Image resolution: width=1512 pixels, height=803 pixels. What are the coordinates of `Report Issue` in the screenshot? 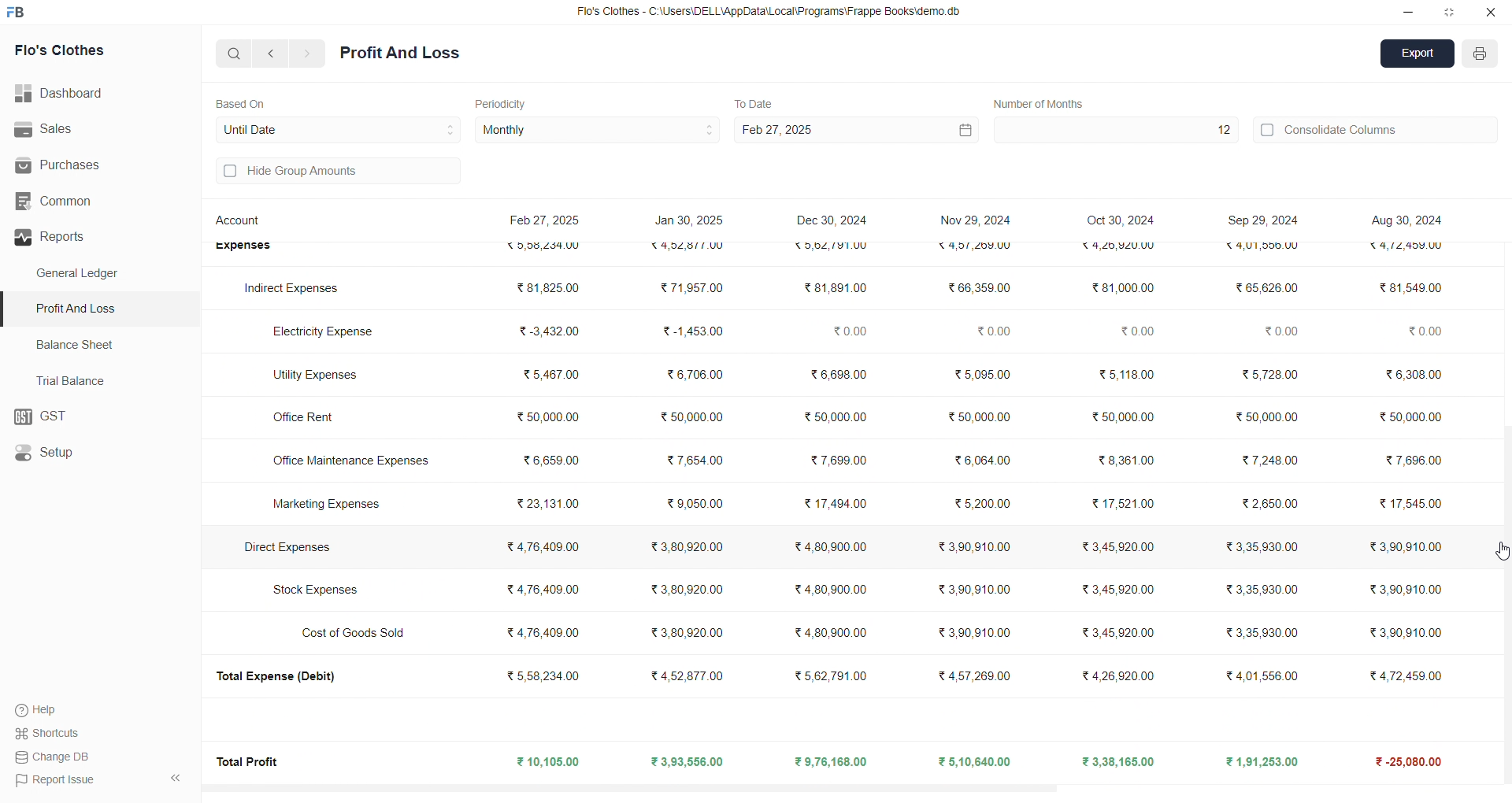 It's located at (56, 779).